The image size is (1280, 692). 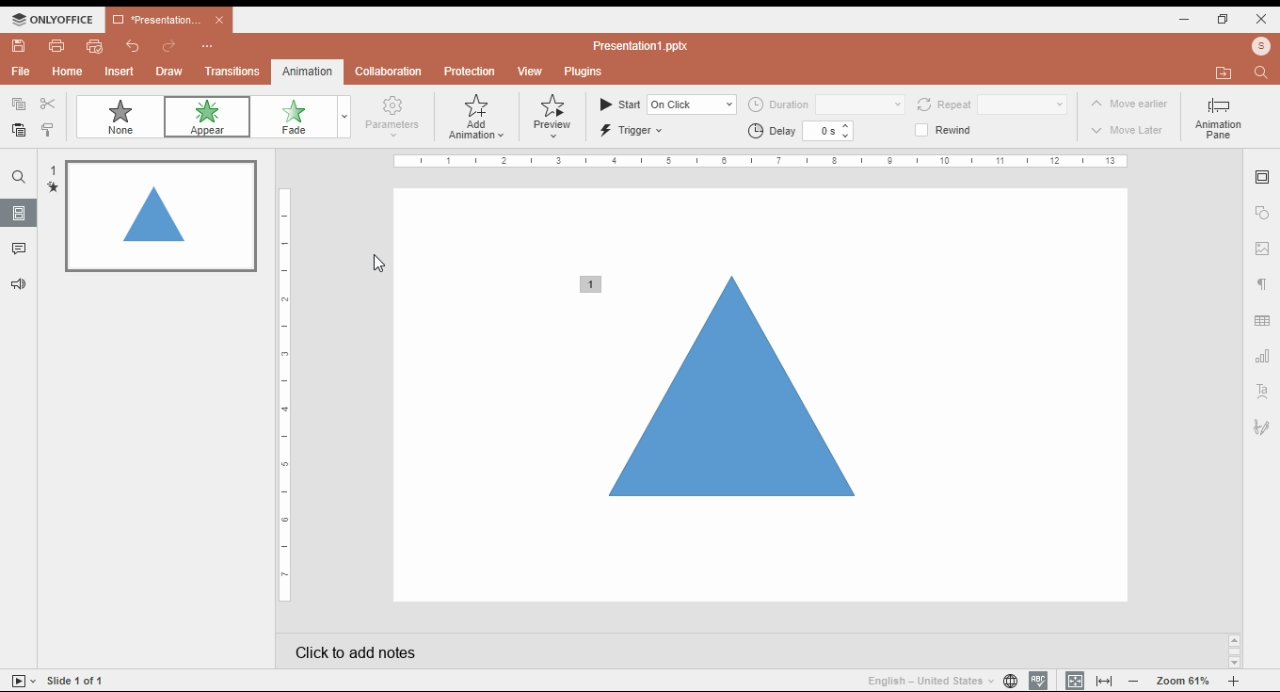 I want to click on spell check, so click(x=1038, y=681).